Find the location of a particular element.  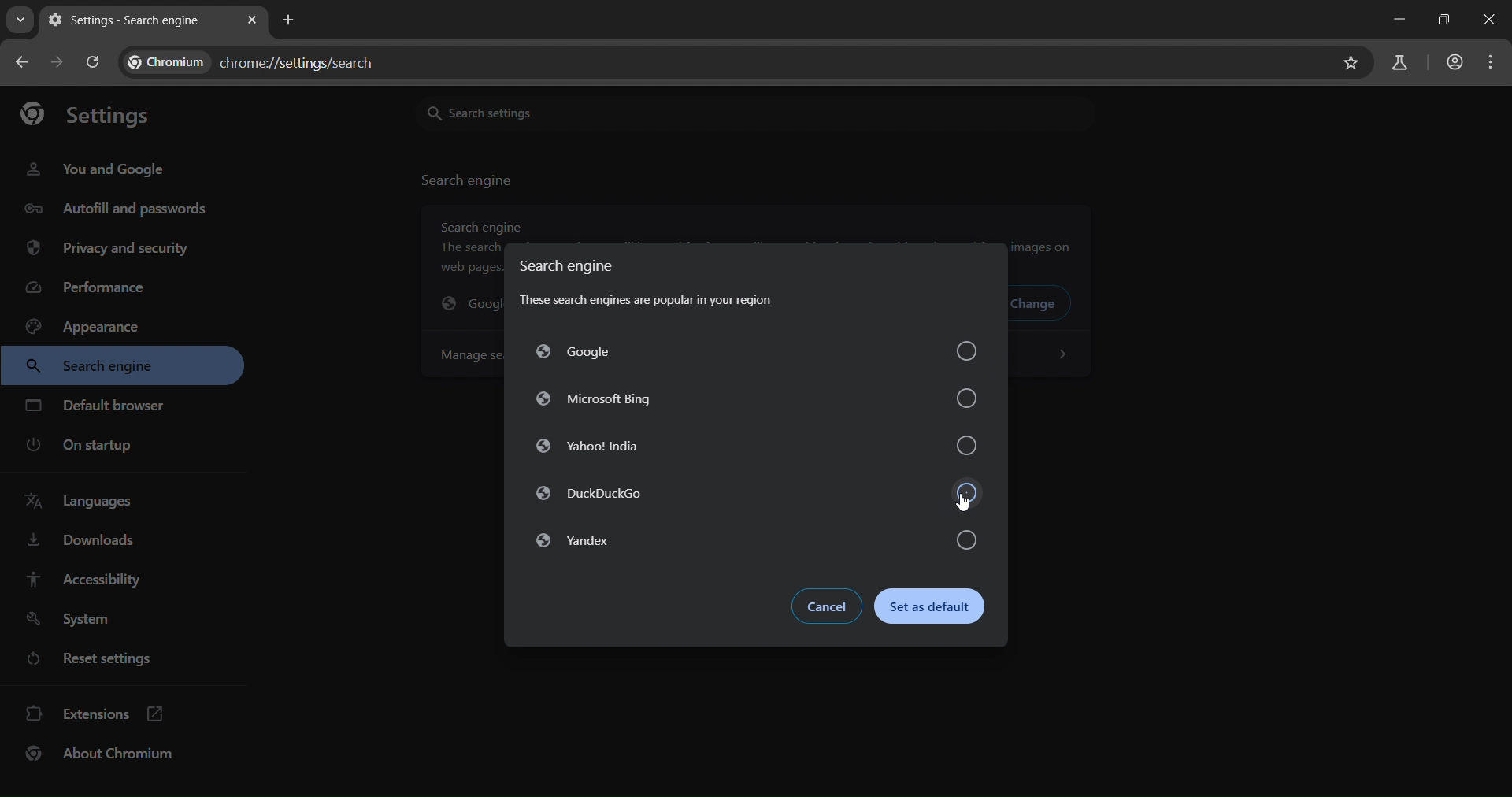

Yahoo!India is located at coordinates (757, 447).